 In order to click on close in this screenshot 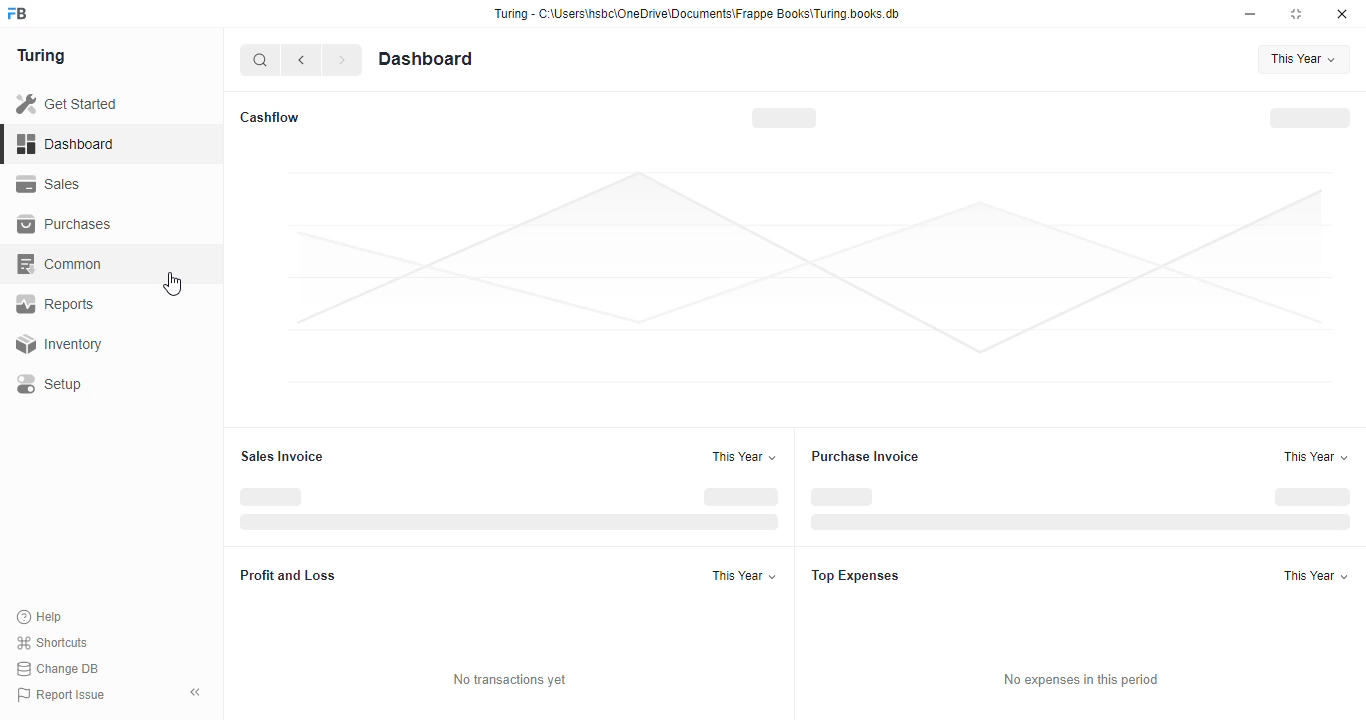, I will do `click(1342, 14)`.